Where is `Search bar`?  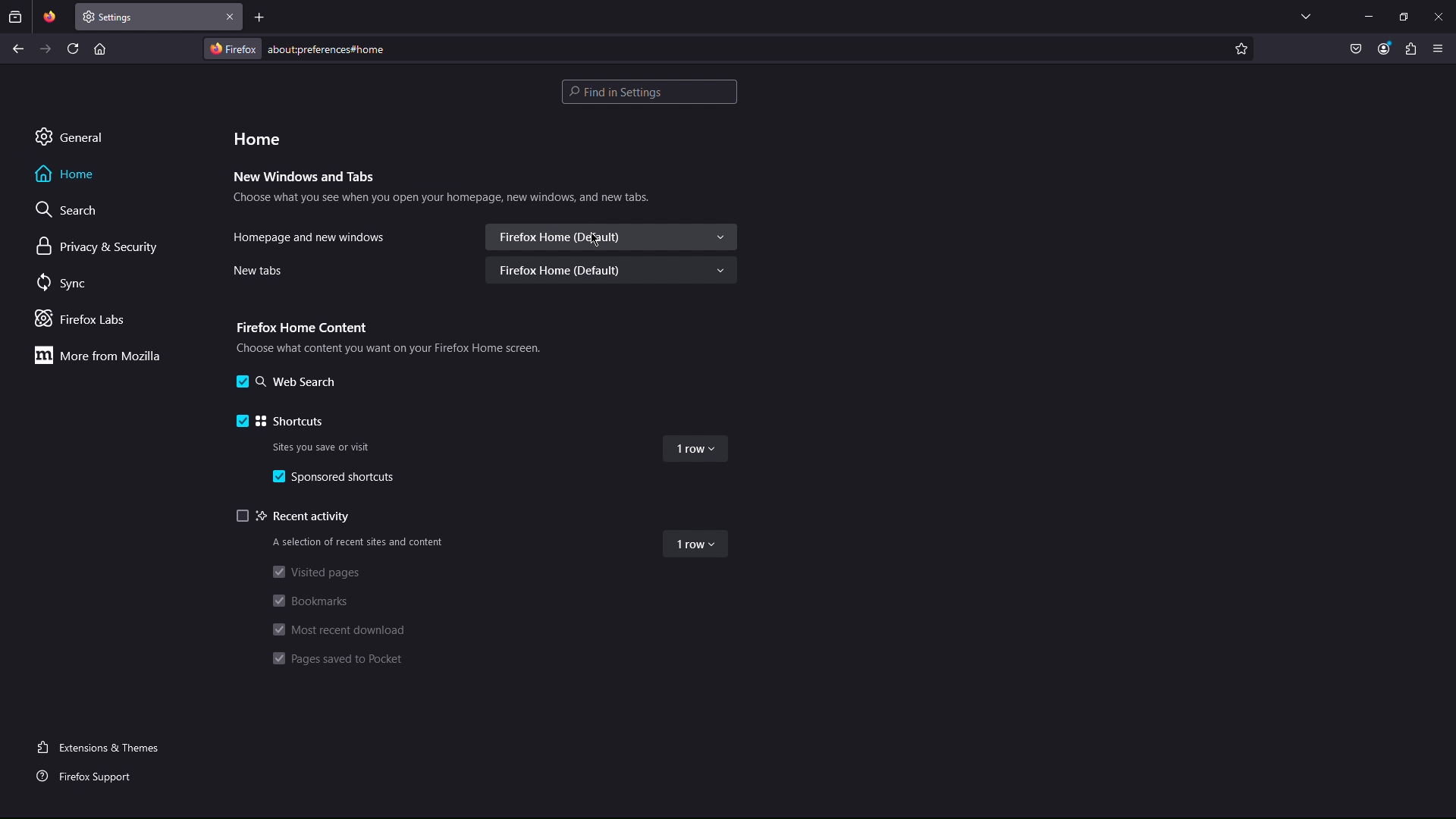
Search bar is located at coordinates (649, 92).